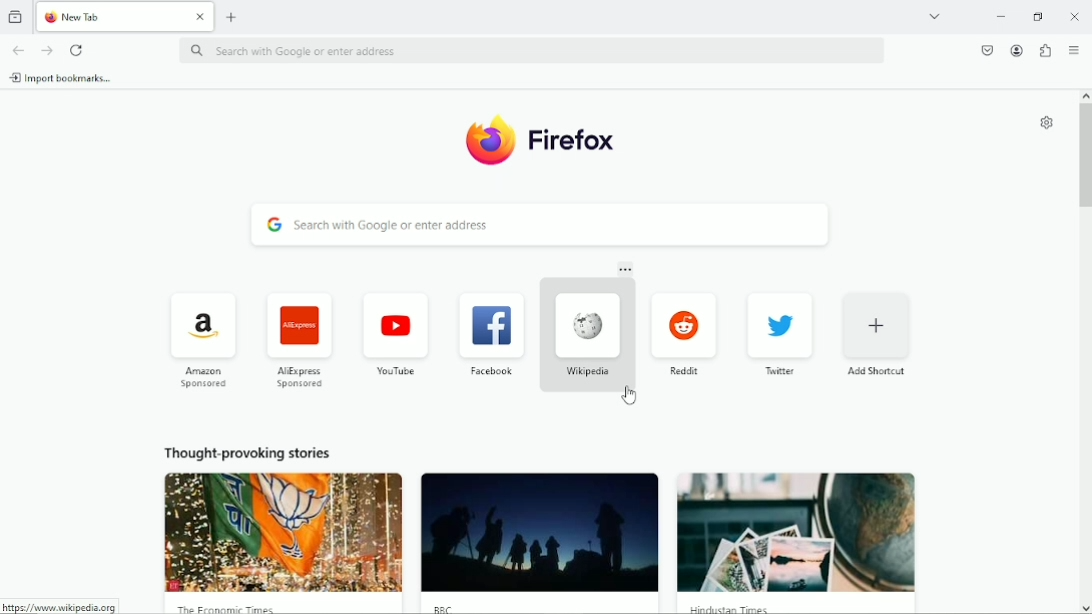  What do you see at coordinates (1038, 16) in the screenshot?
I see `restore down` at bounding box center [1038, 16].